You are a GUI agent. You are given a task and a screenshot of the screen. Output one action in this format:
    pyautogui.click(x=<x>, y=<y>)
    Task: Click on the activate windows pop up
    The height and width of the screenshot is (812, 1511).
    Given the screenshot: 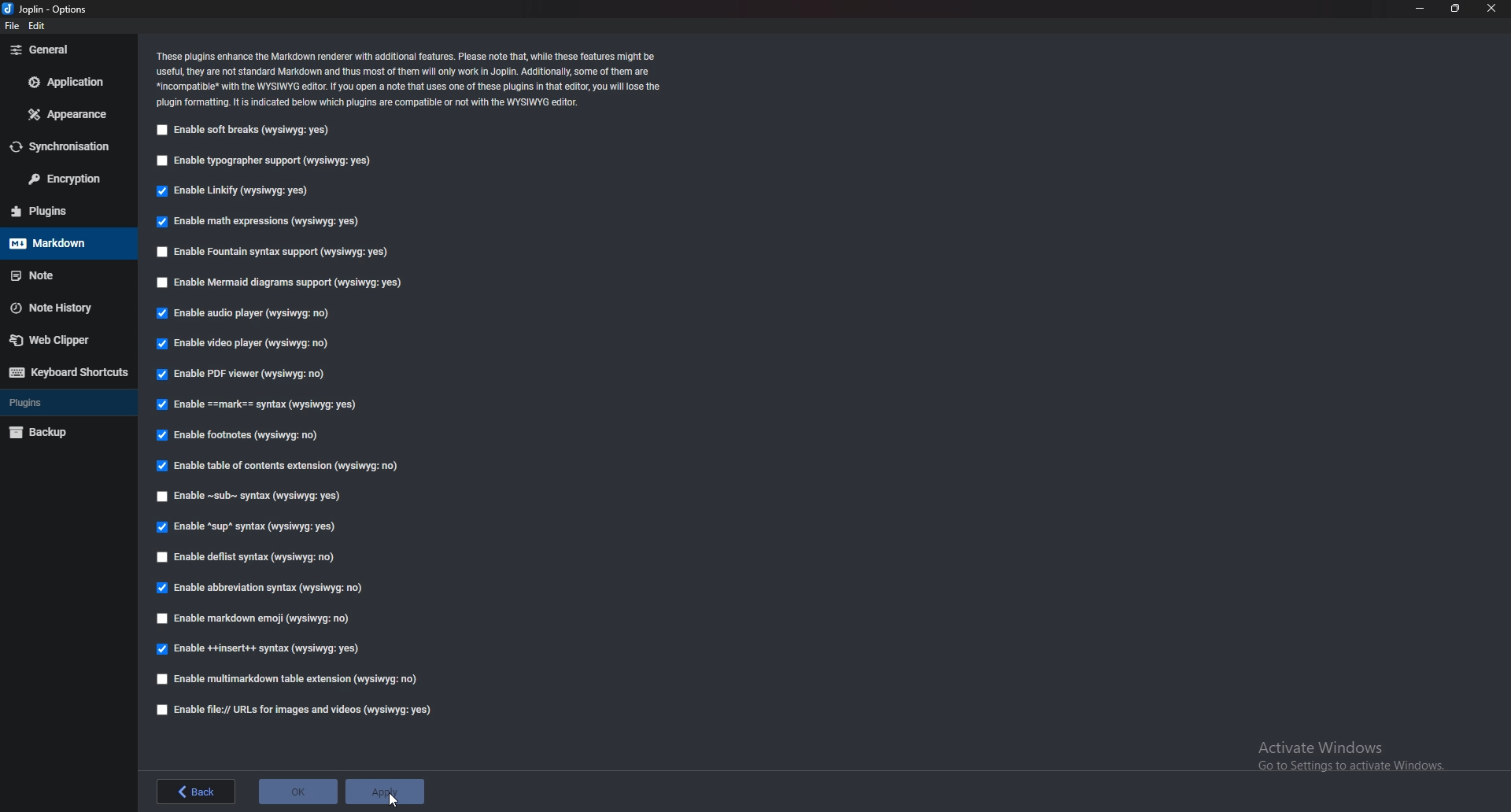 What is the action you would take?
    pyautogui.click(x=1353, y=759)
    